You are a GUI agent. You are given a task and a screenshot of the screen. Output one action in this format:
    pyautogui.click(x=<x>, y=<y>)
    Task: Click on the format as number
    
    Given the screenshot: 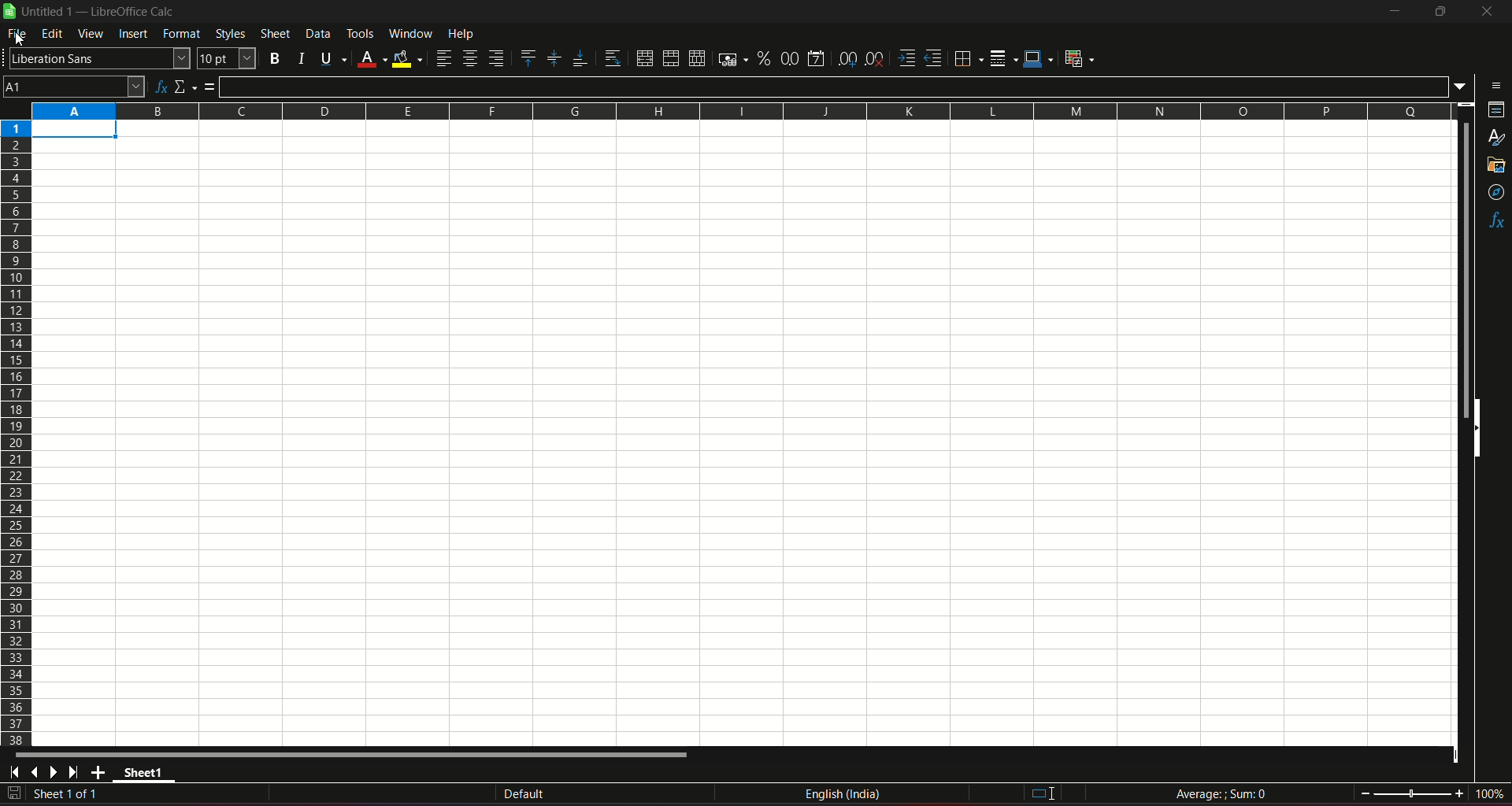 What is the action you would take?
    pyautogui.click(x=790, y=58)
    